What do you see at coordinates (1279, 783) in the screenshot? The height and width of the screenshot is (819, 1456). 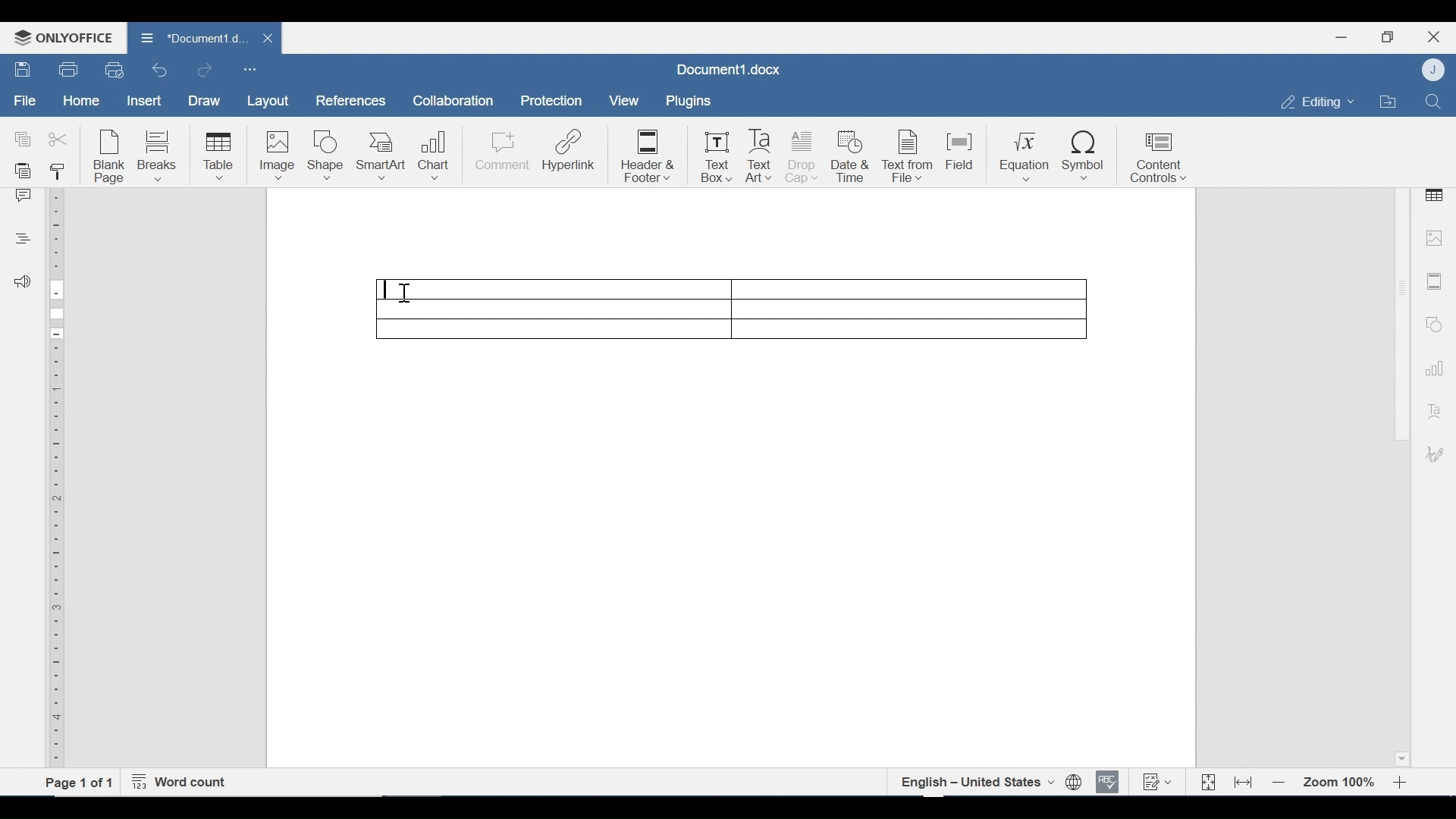 I see `Zoom out` at bounding box center [1279, 783].